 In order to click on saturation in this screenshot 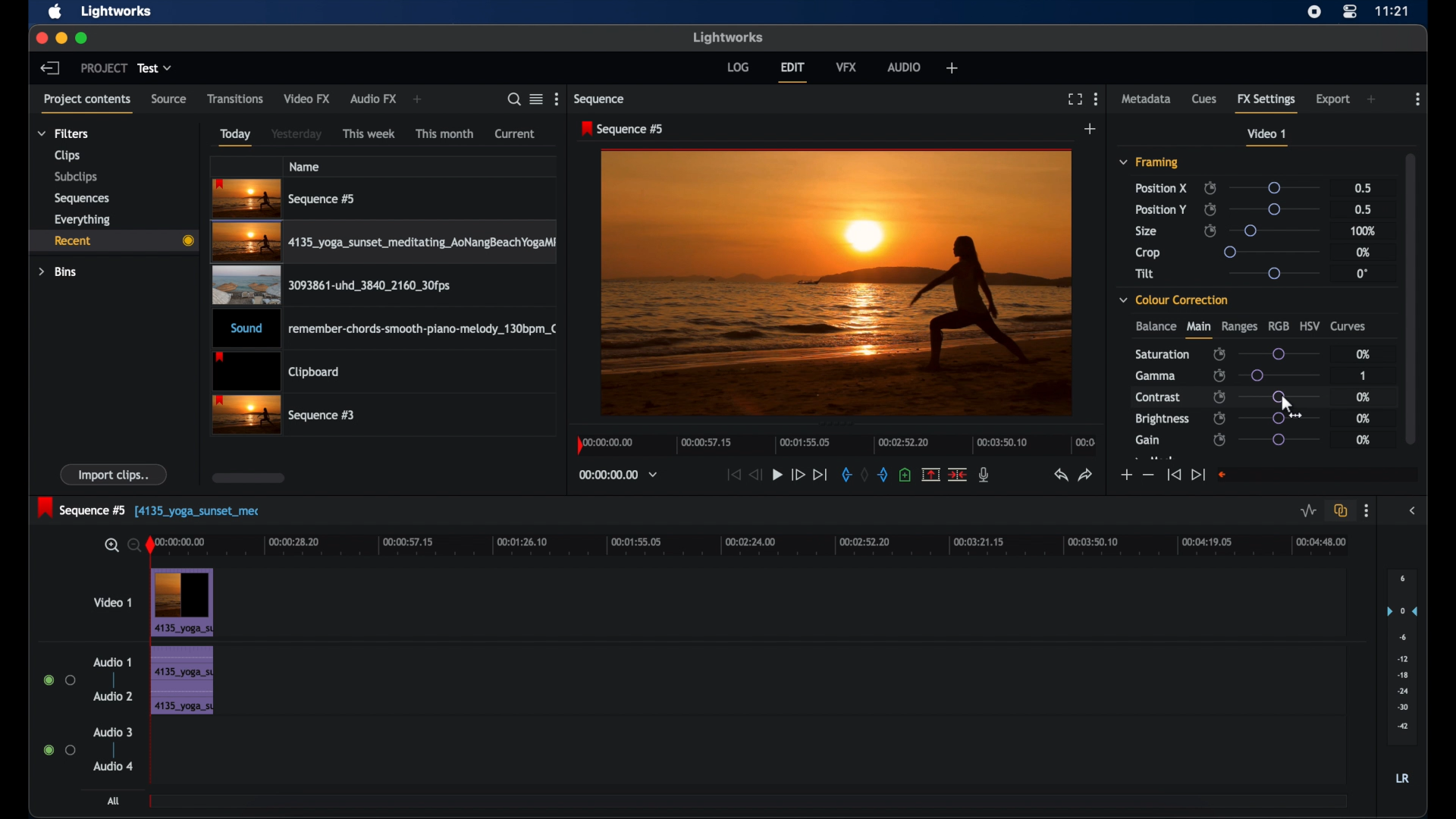, I will do `click(1162, 354)`.